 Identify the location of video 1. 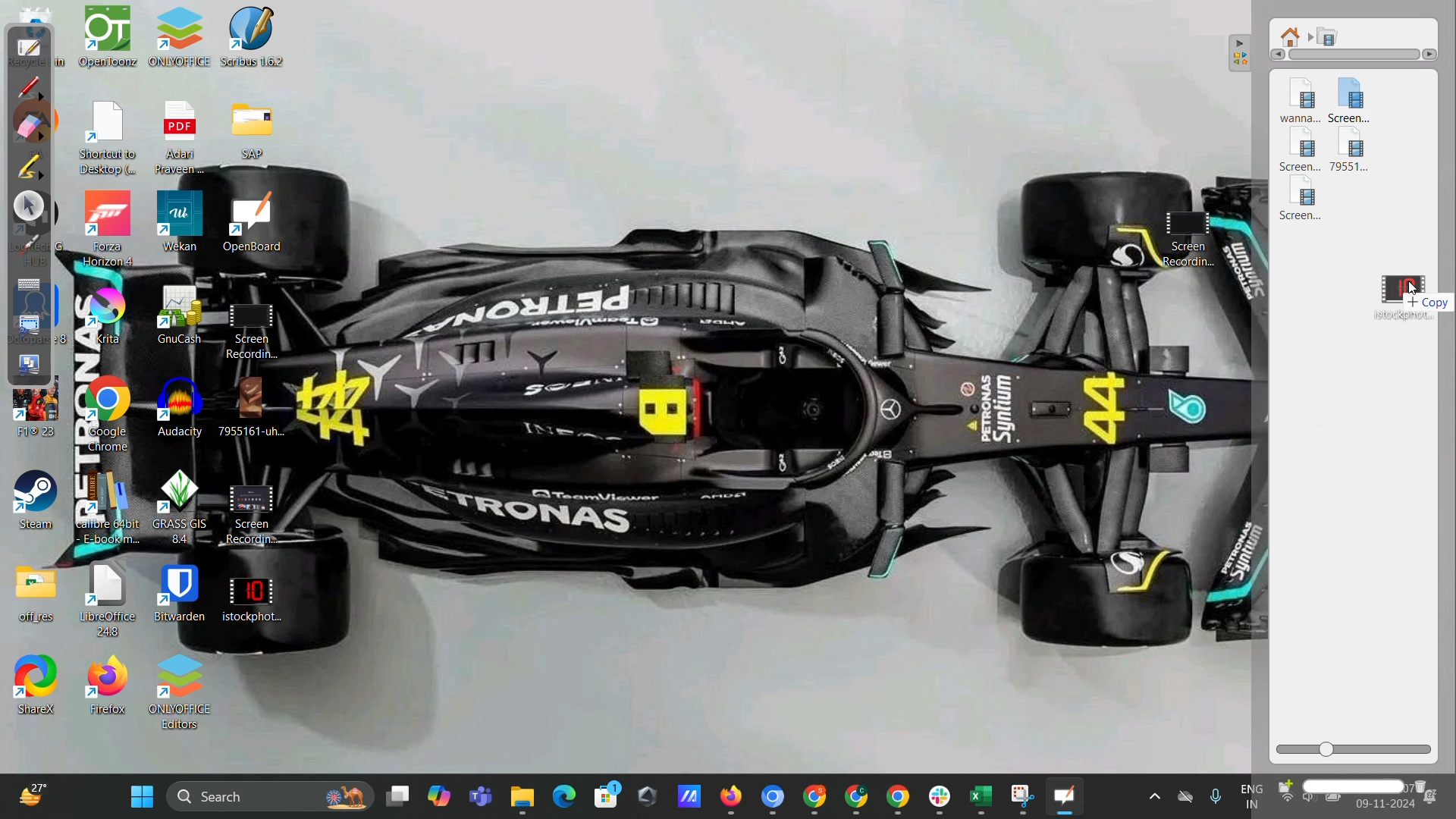
(1299, 100).